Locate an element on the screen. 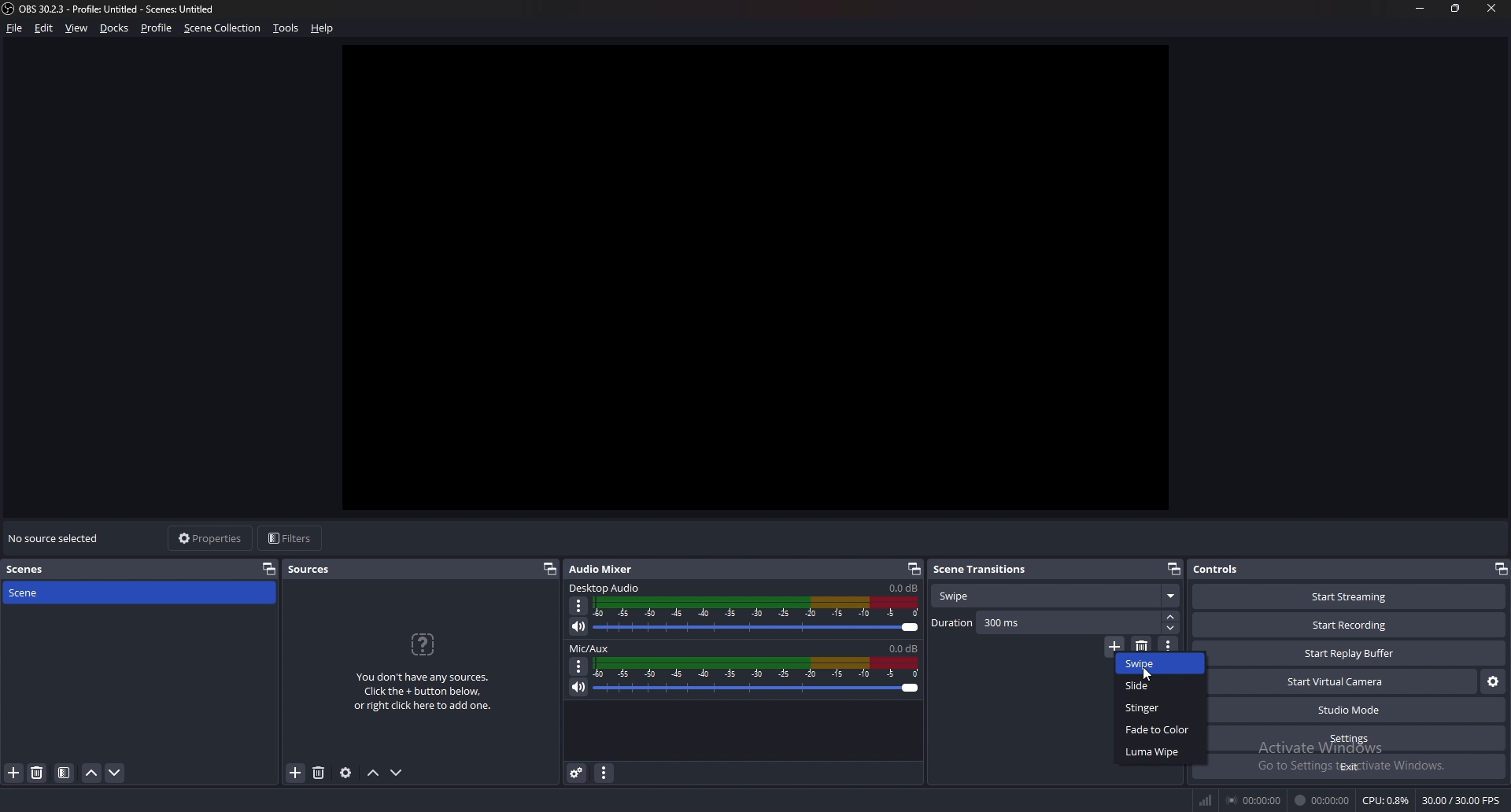  workspace is located at coordinates (765, 275).